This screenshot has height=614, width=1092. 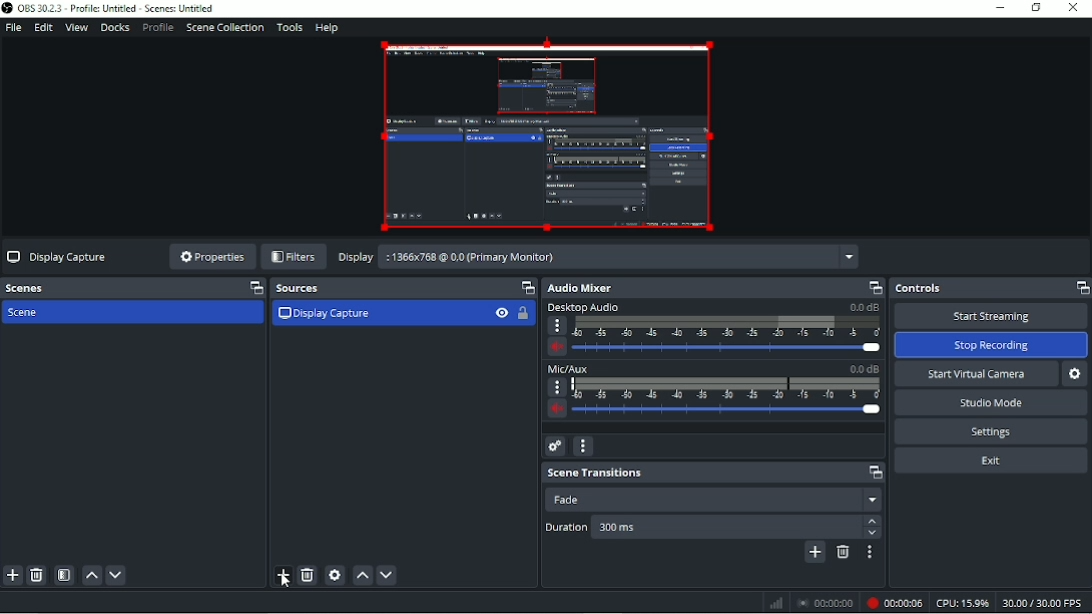 I want to click on Duration, so click(x=564, y=529).